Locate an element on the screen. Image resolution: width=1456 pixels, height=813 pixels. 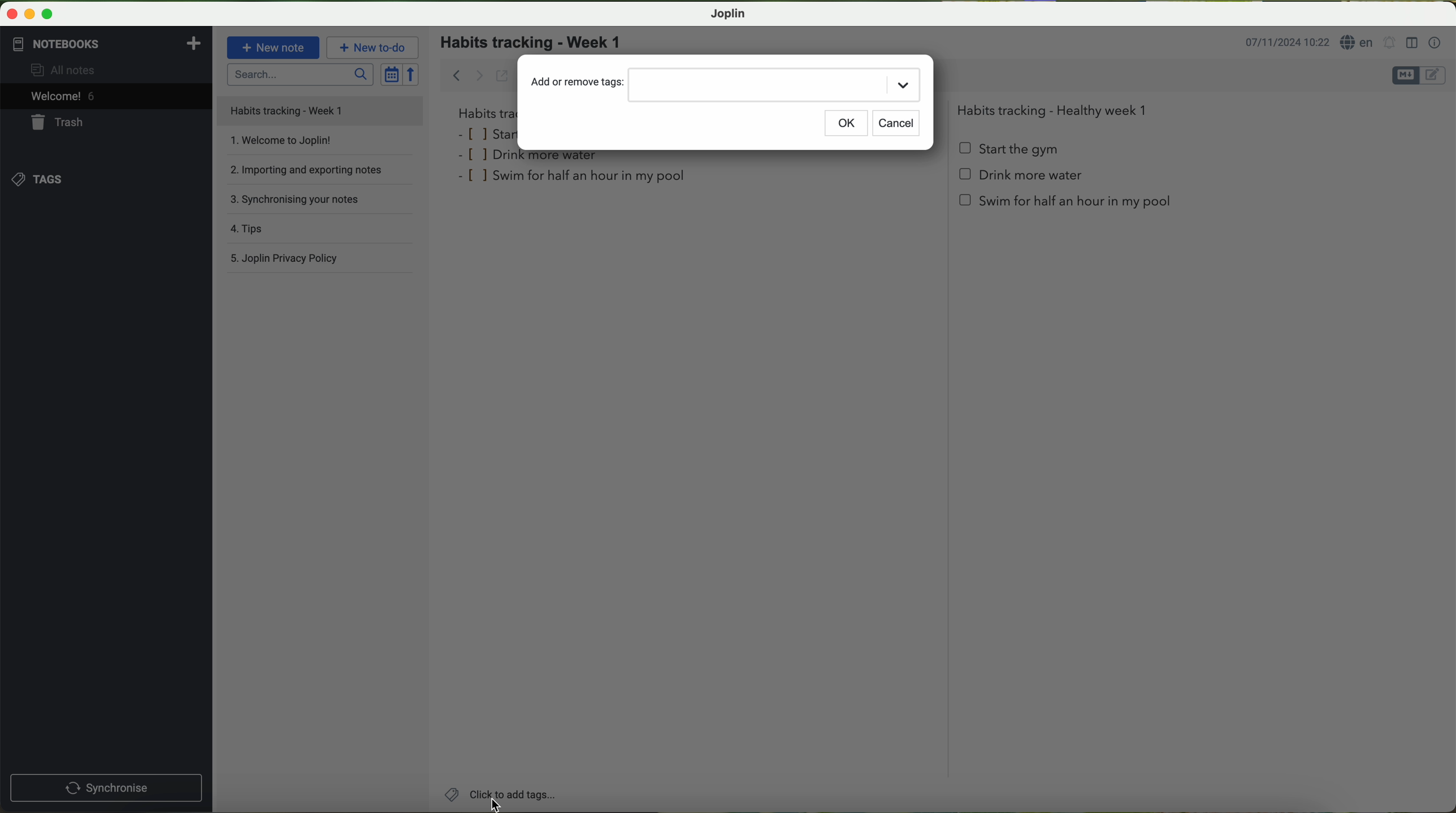
importing and exporting notes is located at coordinates (319, 174).